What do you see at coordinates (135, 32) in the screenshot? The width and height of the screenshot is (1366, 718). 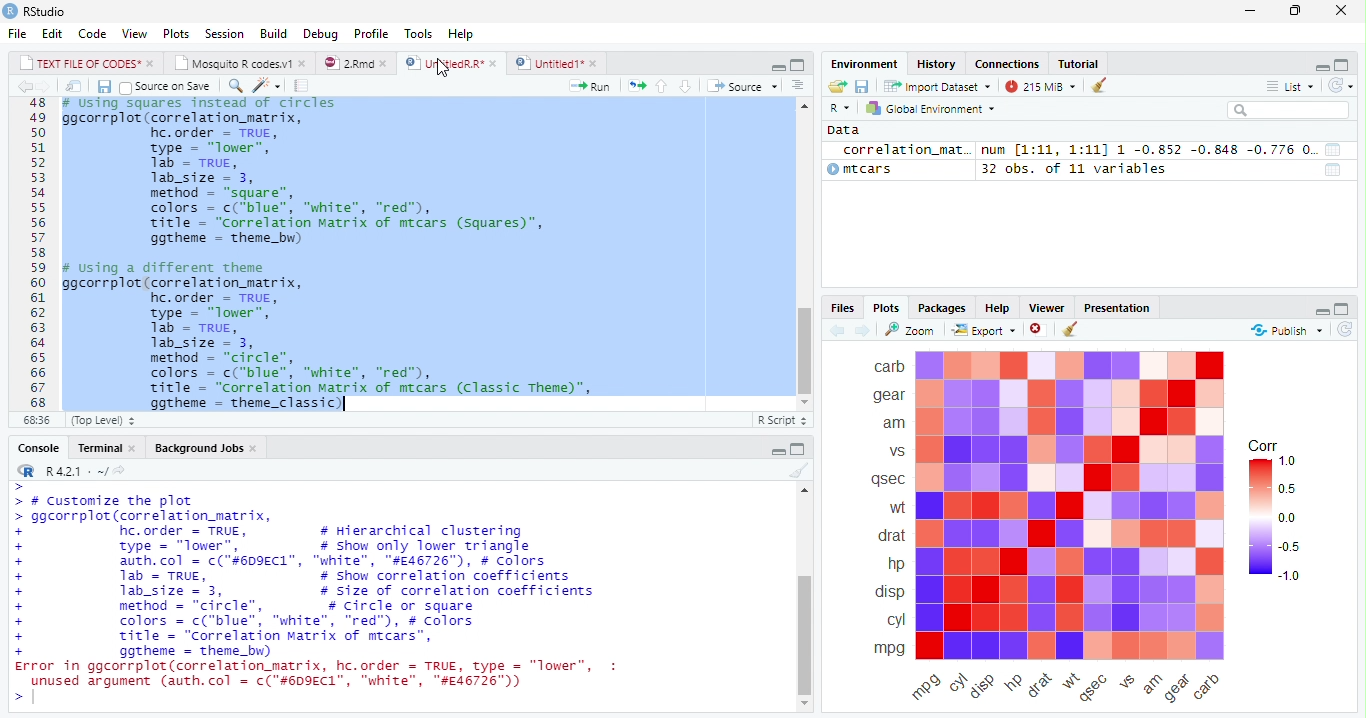 I see `View` at bounding box center [135, 32].